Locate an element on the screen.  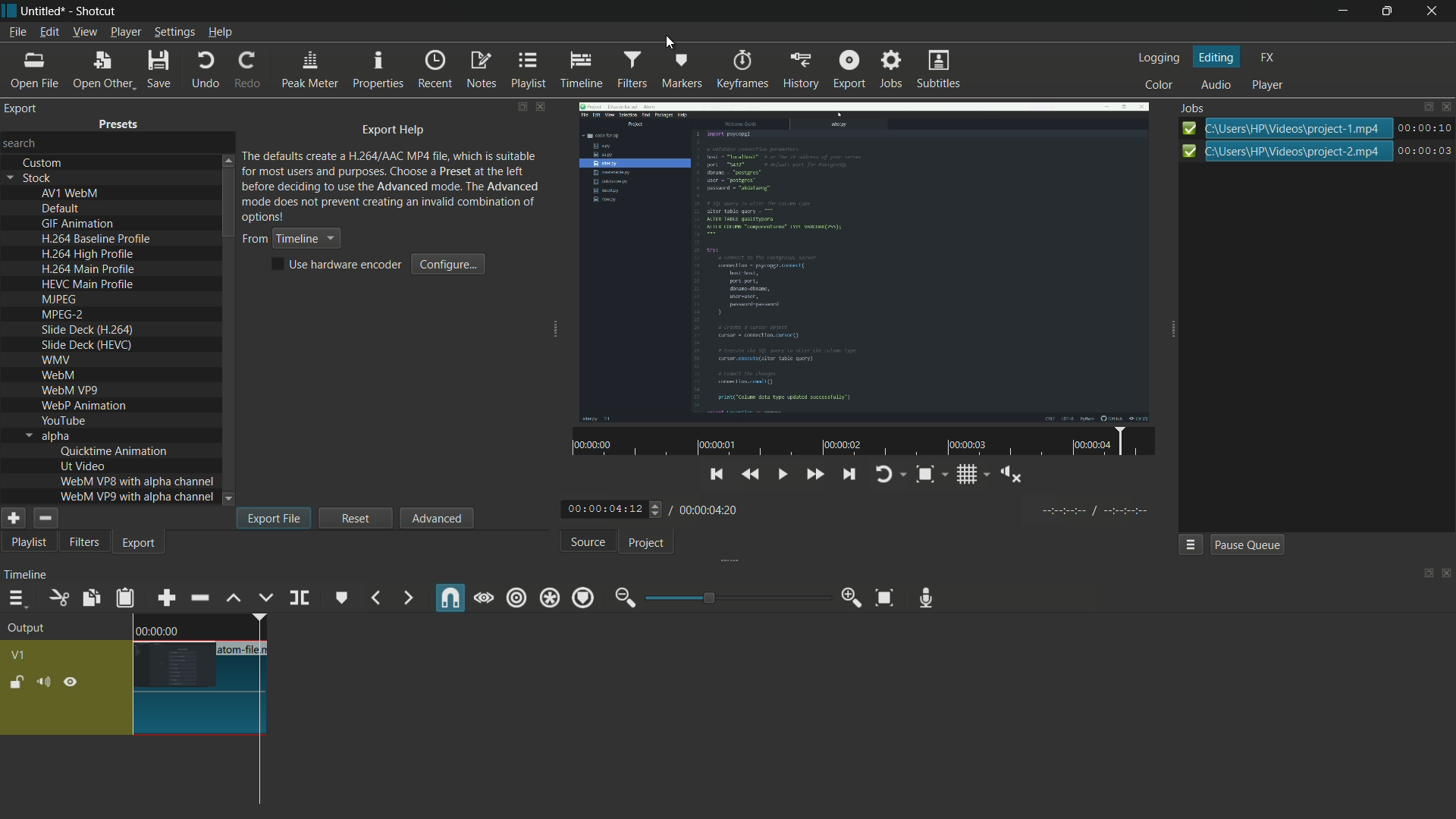
ut video is located at coordinates (83, 466).